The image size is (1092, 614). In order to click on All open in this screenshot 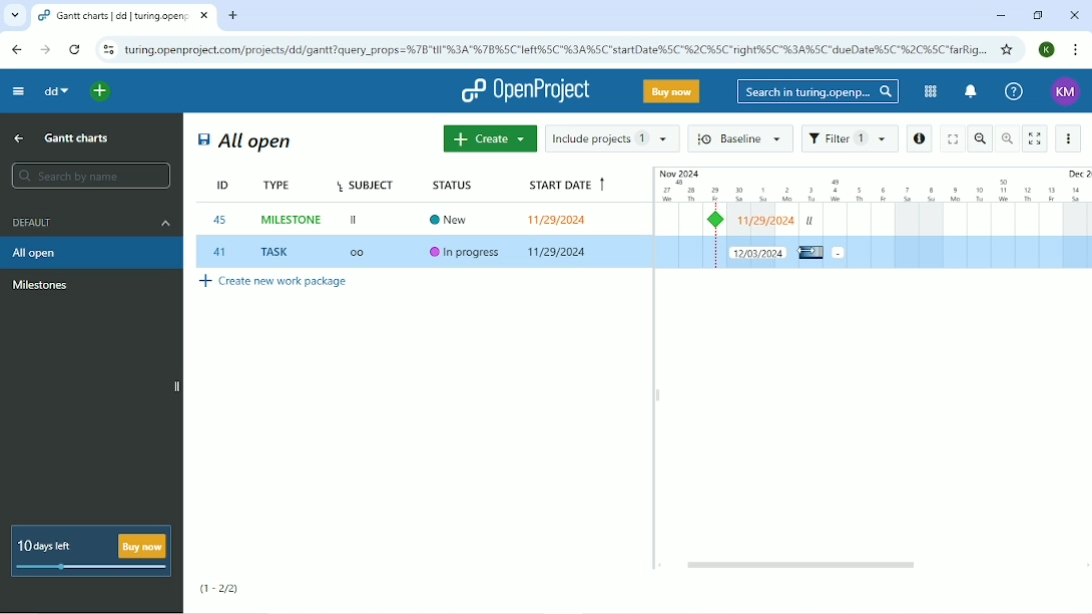, I will do `click(92, 252)`.